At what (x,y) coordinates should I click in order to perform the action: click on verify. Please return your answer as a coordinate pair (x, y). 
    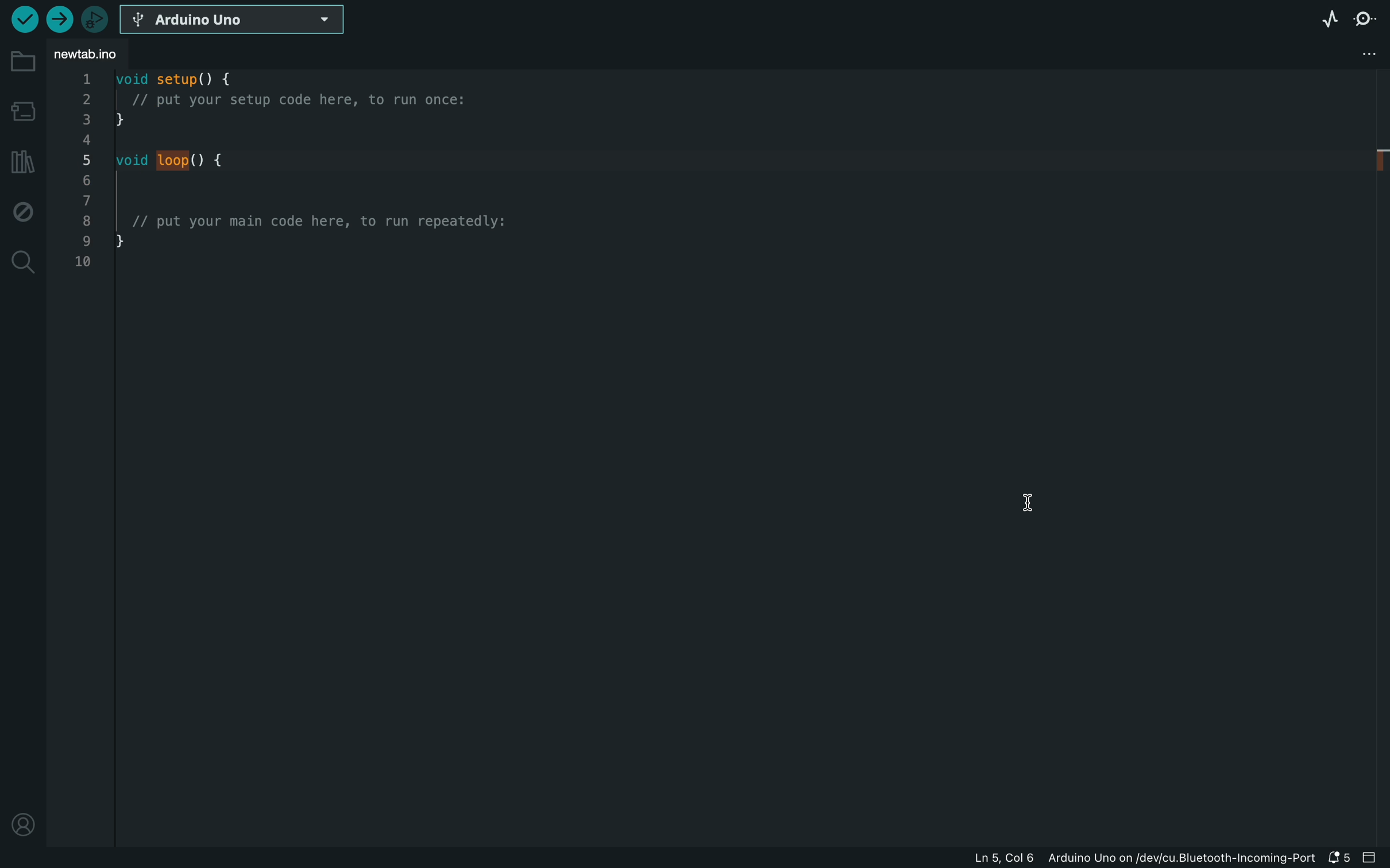
    Looking at the image, I should click on (23, 19).